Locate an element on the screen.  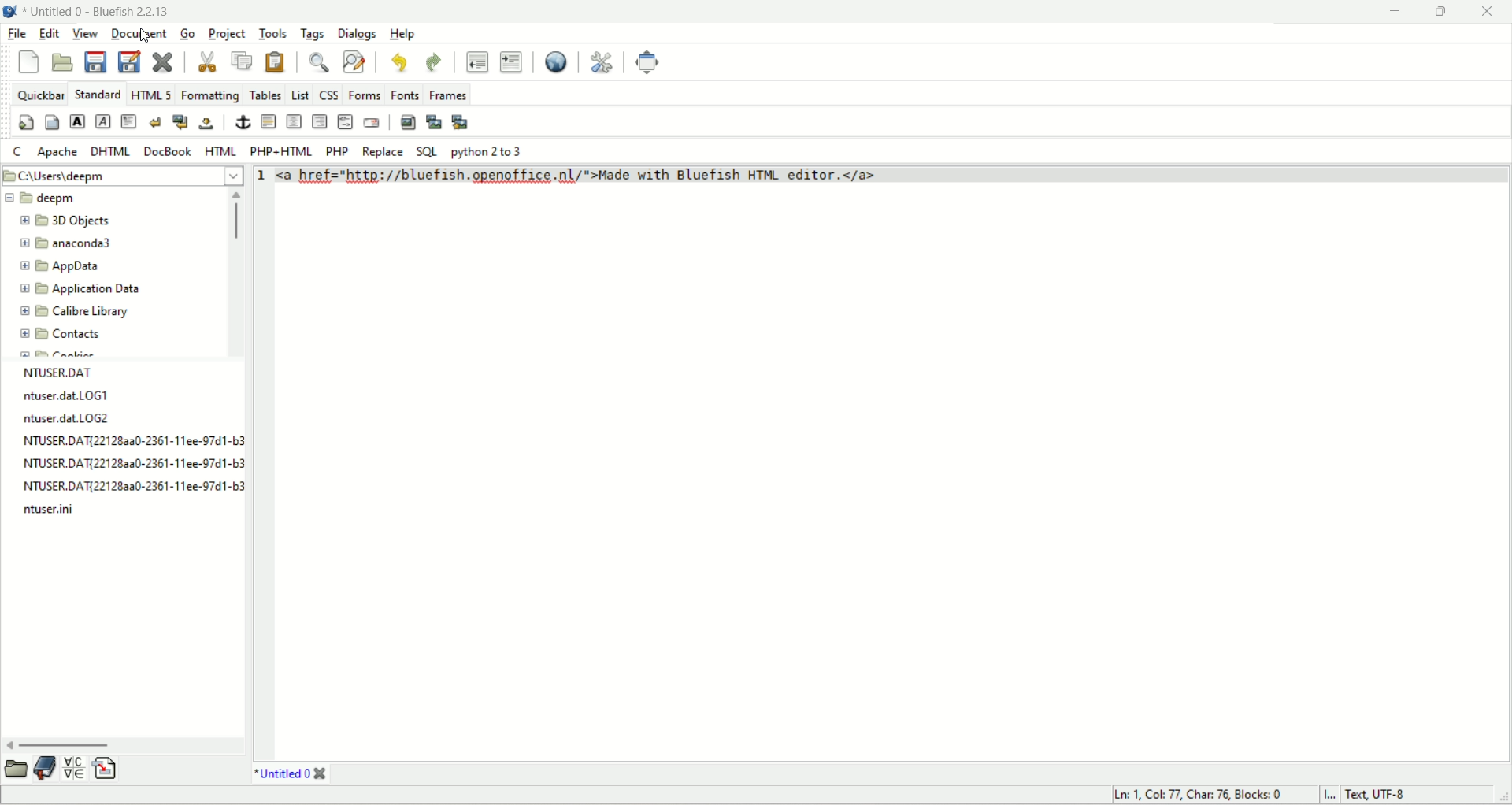
SQL is located at coordinates (425, 149).